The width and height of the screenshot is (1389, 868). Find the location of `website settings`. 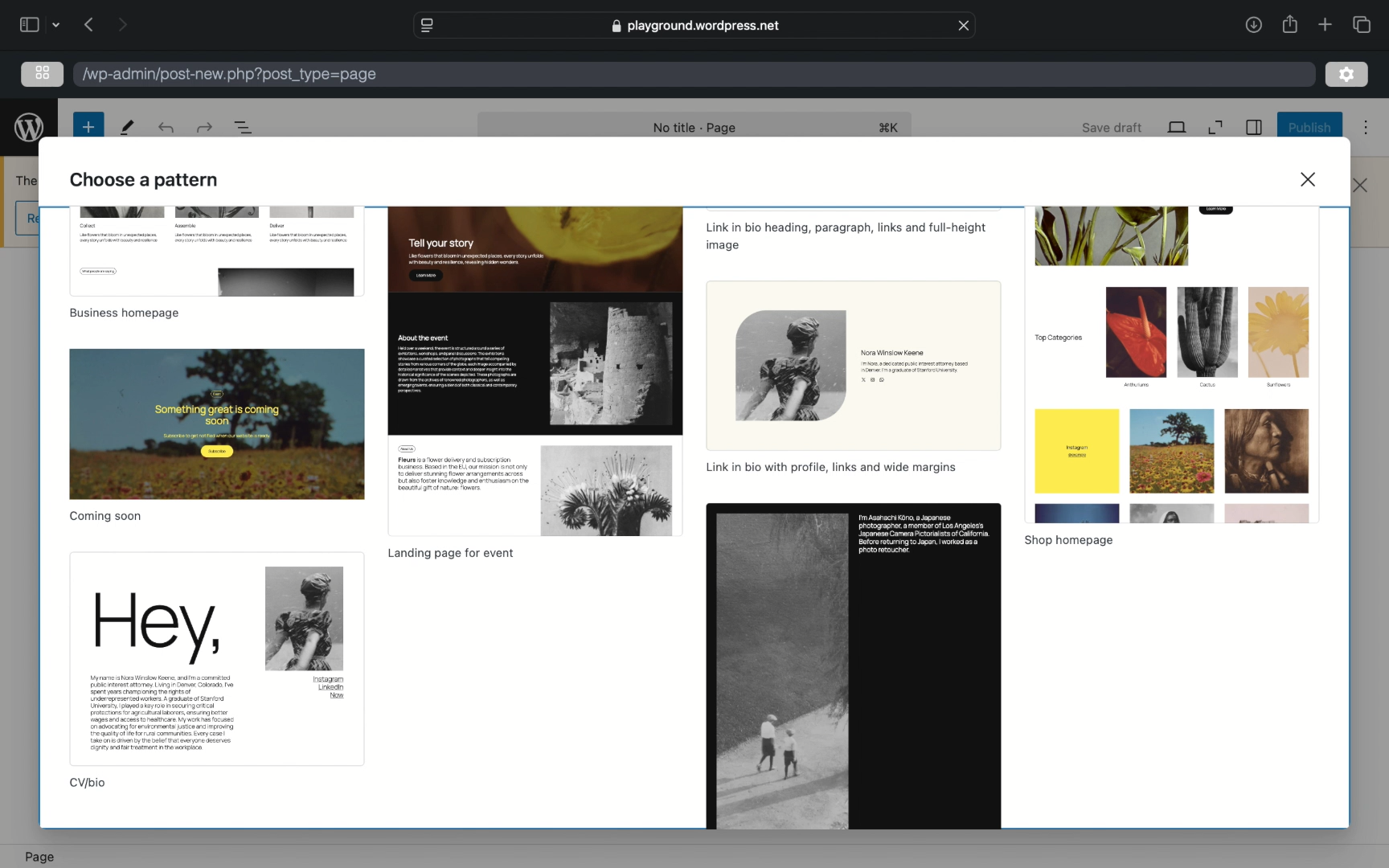

website settings is located at coordinates (427, 26).